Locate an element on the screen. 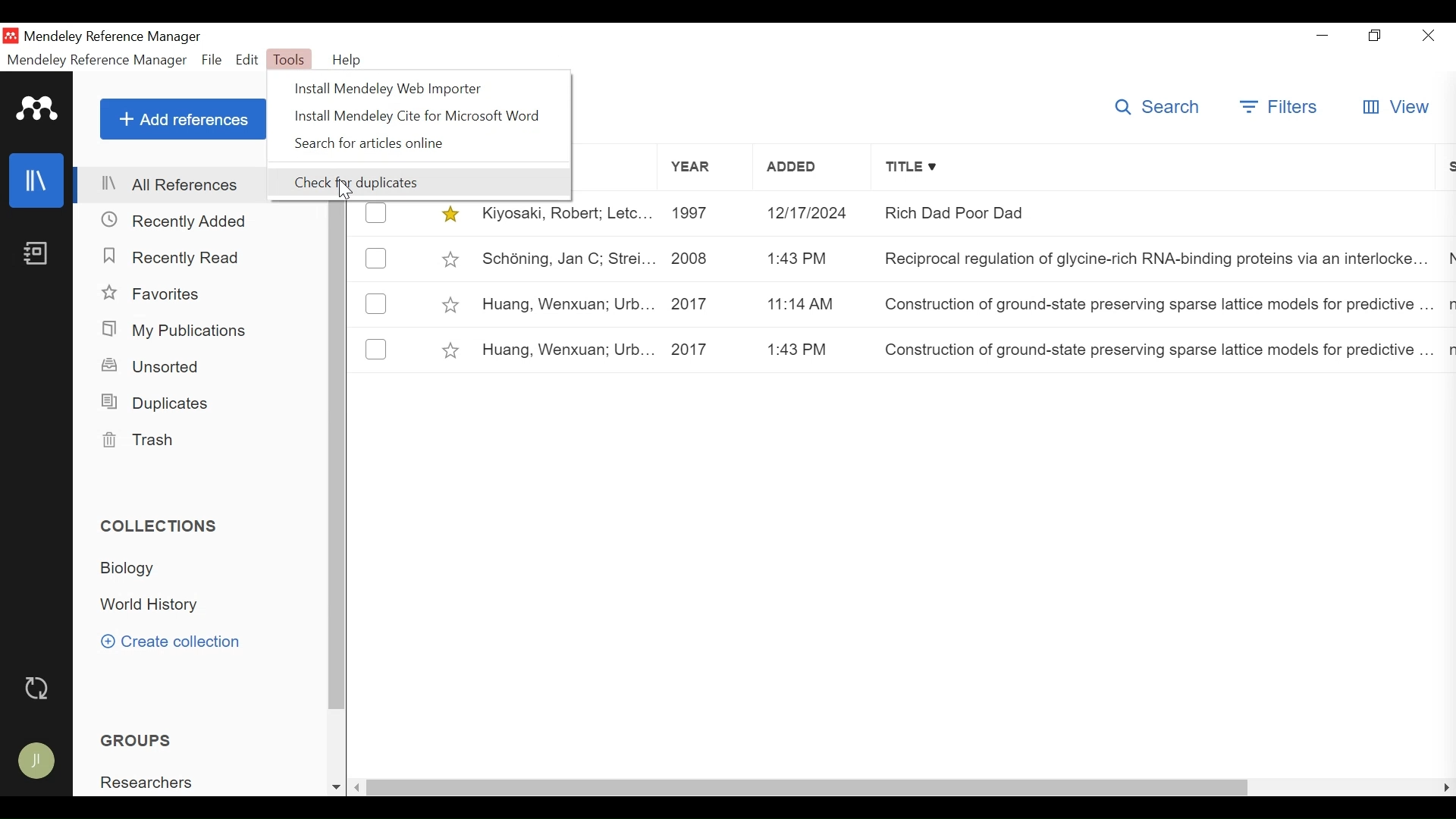 This screenshot has width=1456, height=819. Recently Read is located at coordinates (175, 256).